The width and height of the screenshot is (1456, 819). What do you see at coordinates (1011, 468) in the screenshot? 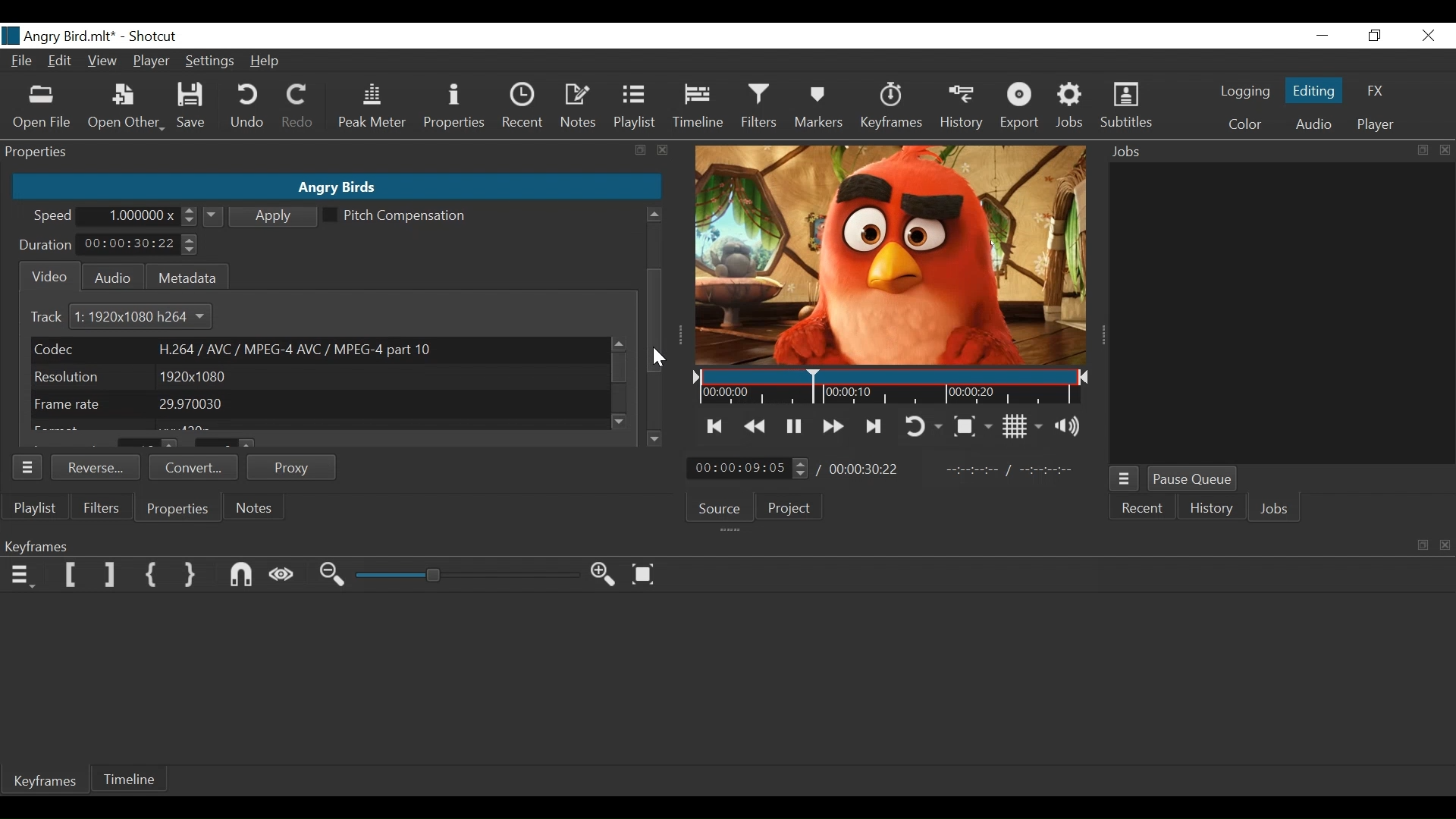
I see `In Point` at bounding box center [1011, 468].